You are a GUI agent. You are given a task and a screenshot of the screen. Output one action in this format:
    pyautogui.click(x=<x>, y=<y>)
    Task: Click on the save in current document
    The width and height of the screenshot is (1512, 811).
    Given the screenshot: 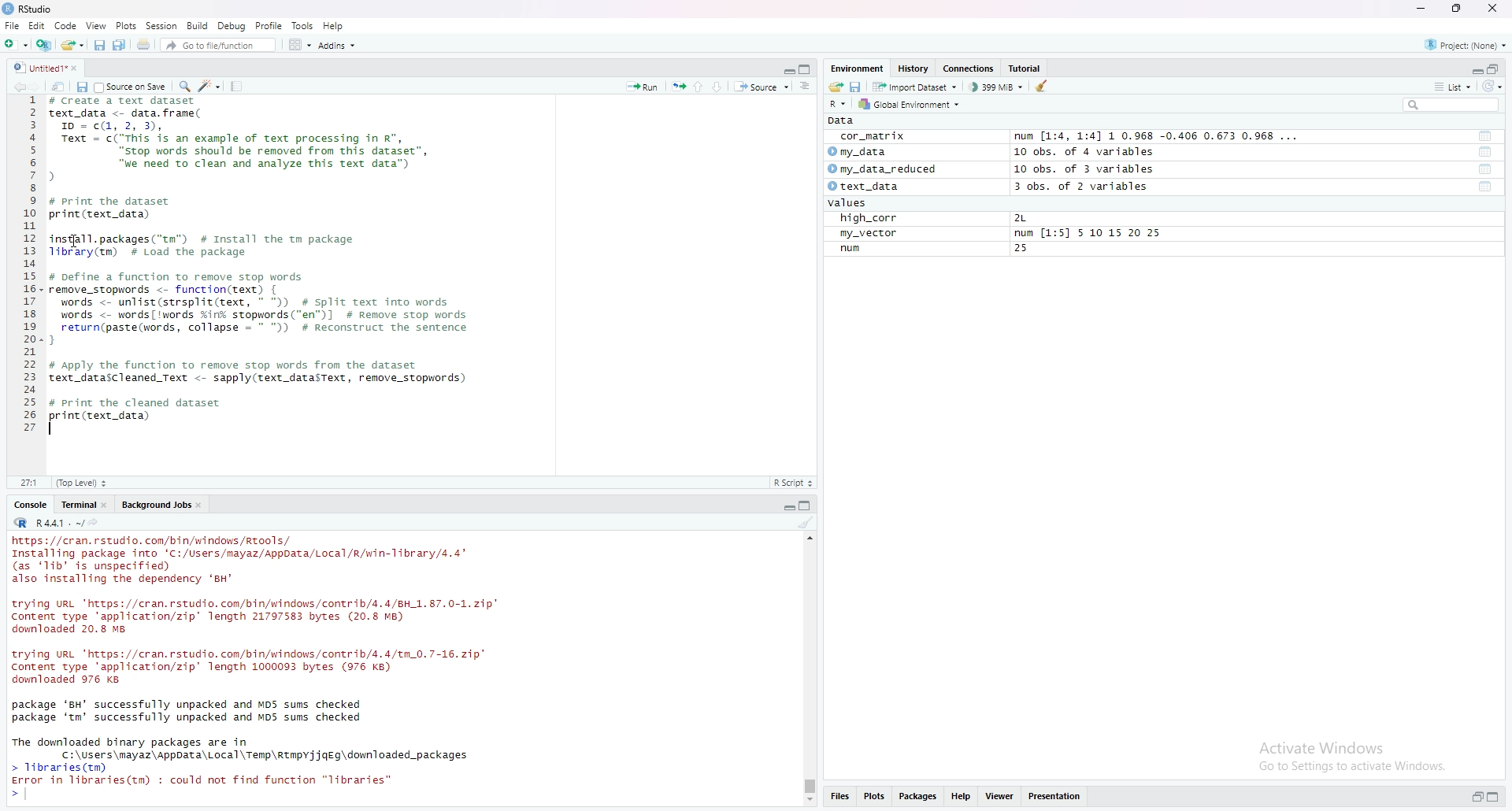 What is the action you would take?
    pyautogui.click(x=82, y=87)
    